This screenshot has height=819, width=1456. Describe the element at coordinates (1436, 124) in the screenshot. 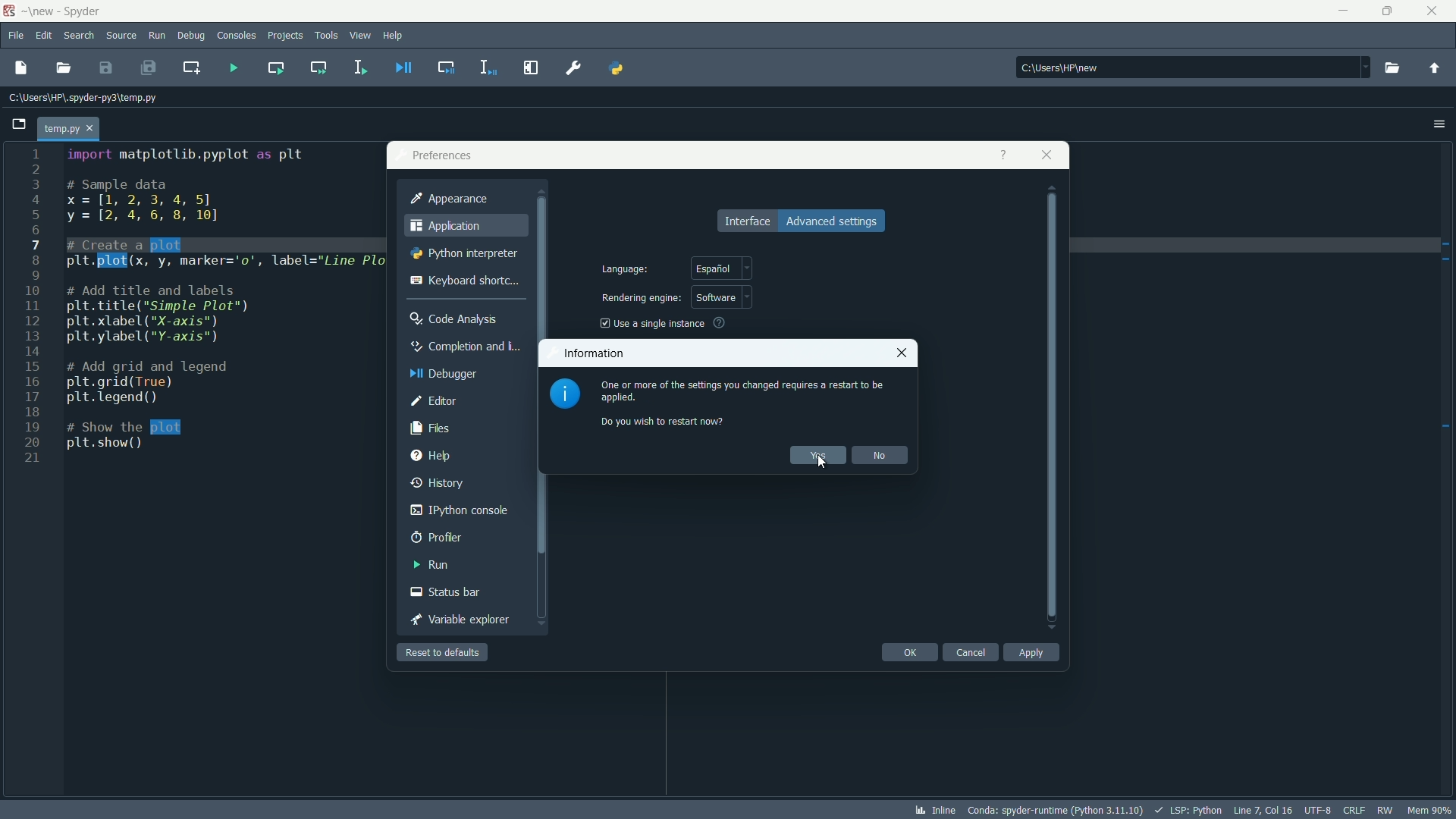

I see `options` at that location.